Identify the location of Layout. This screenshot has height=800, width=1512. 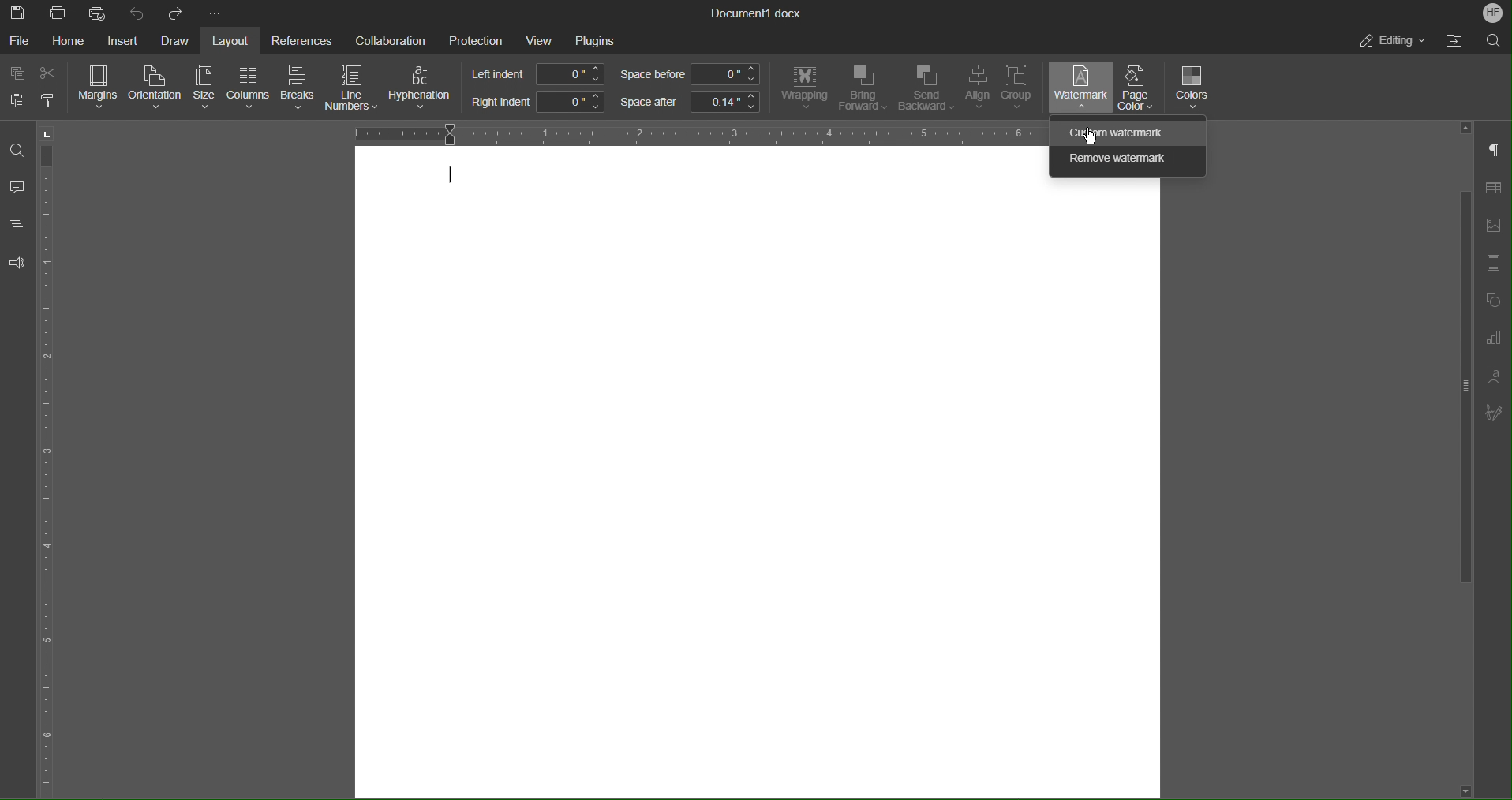
(234, 40).